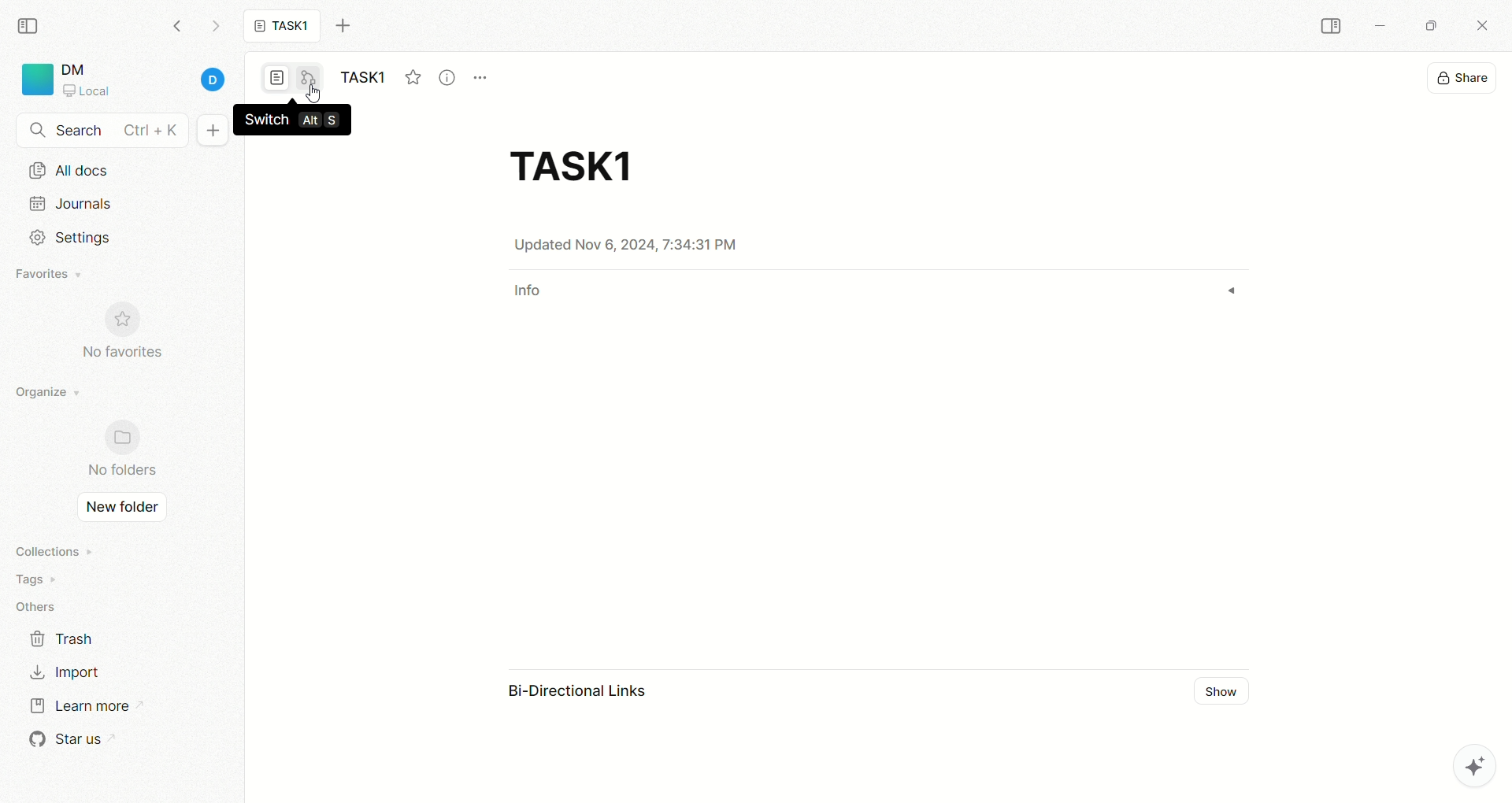 The image size is (1512, 803). I want to click on maximize, so click(1426, 24).